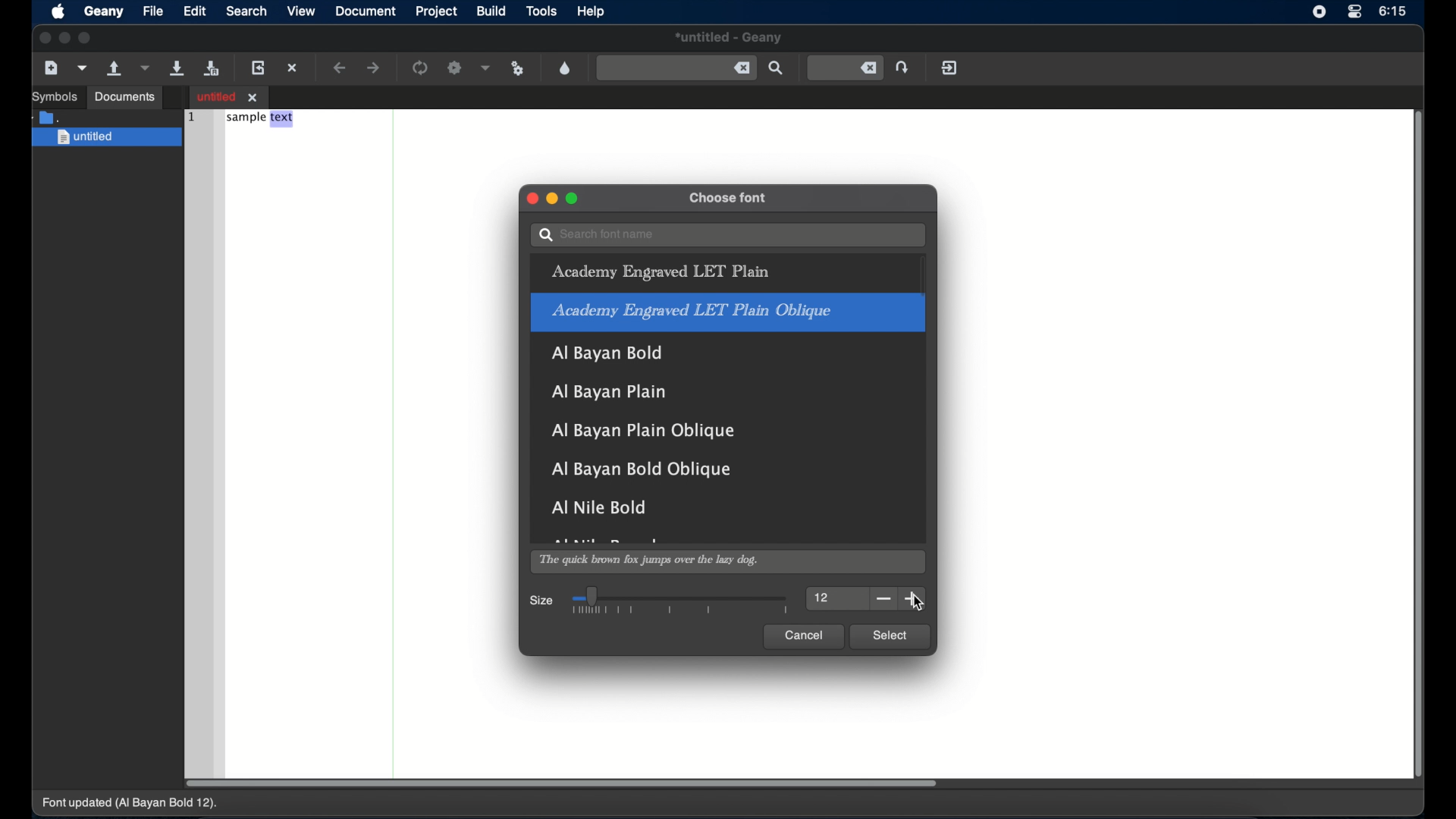 The height and width of the screenshot is (819, 1456). What do you see at coordinates (591, 11) in the screenshot?
I see `help` at bounding box center [591, 11].